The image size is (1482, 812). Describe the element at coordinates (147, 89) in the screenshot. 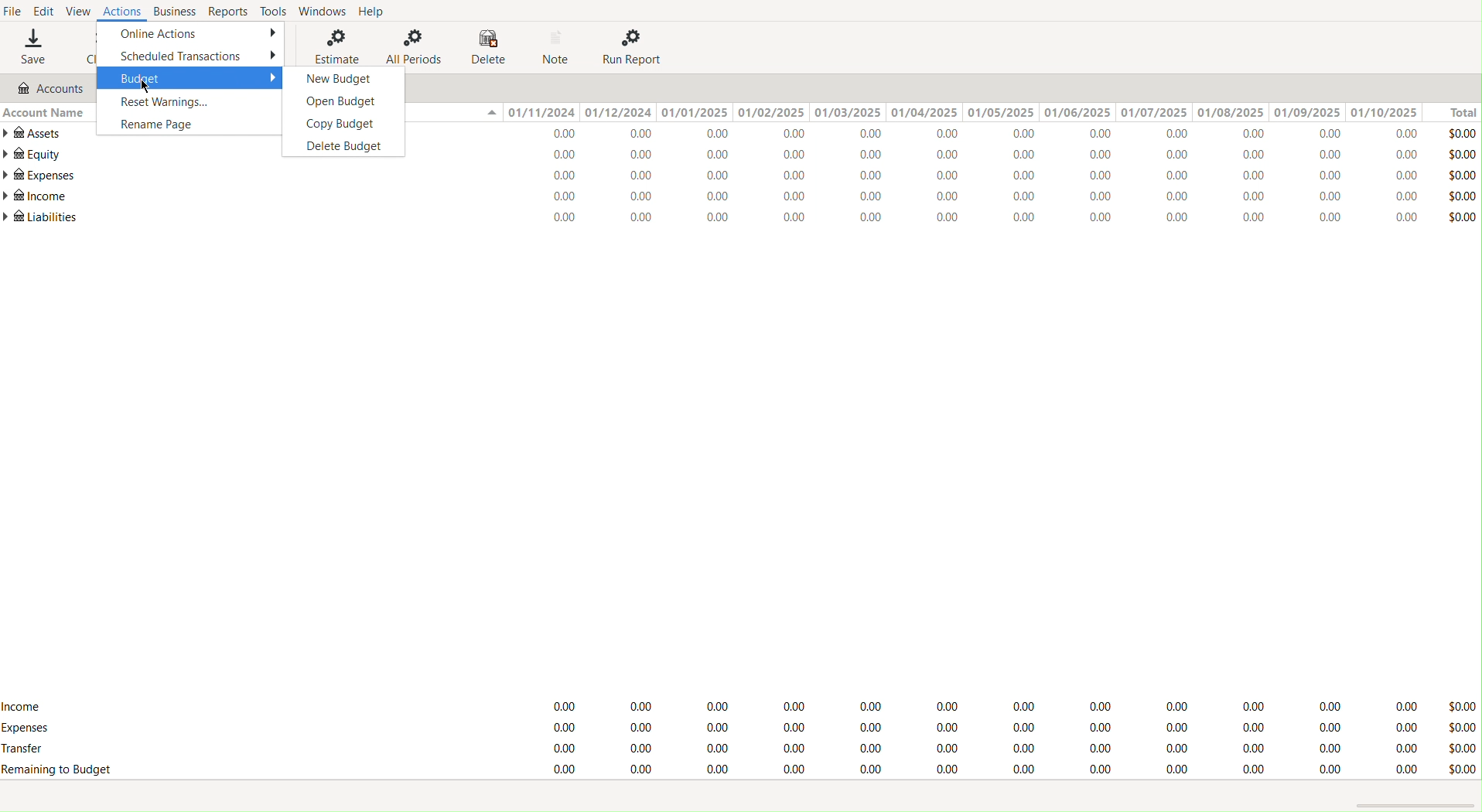

I see `cursor` at that location.